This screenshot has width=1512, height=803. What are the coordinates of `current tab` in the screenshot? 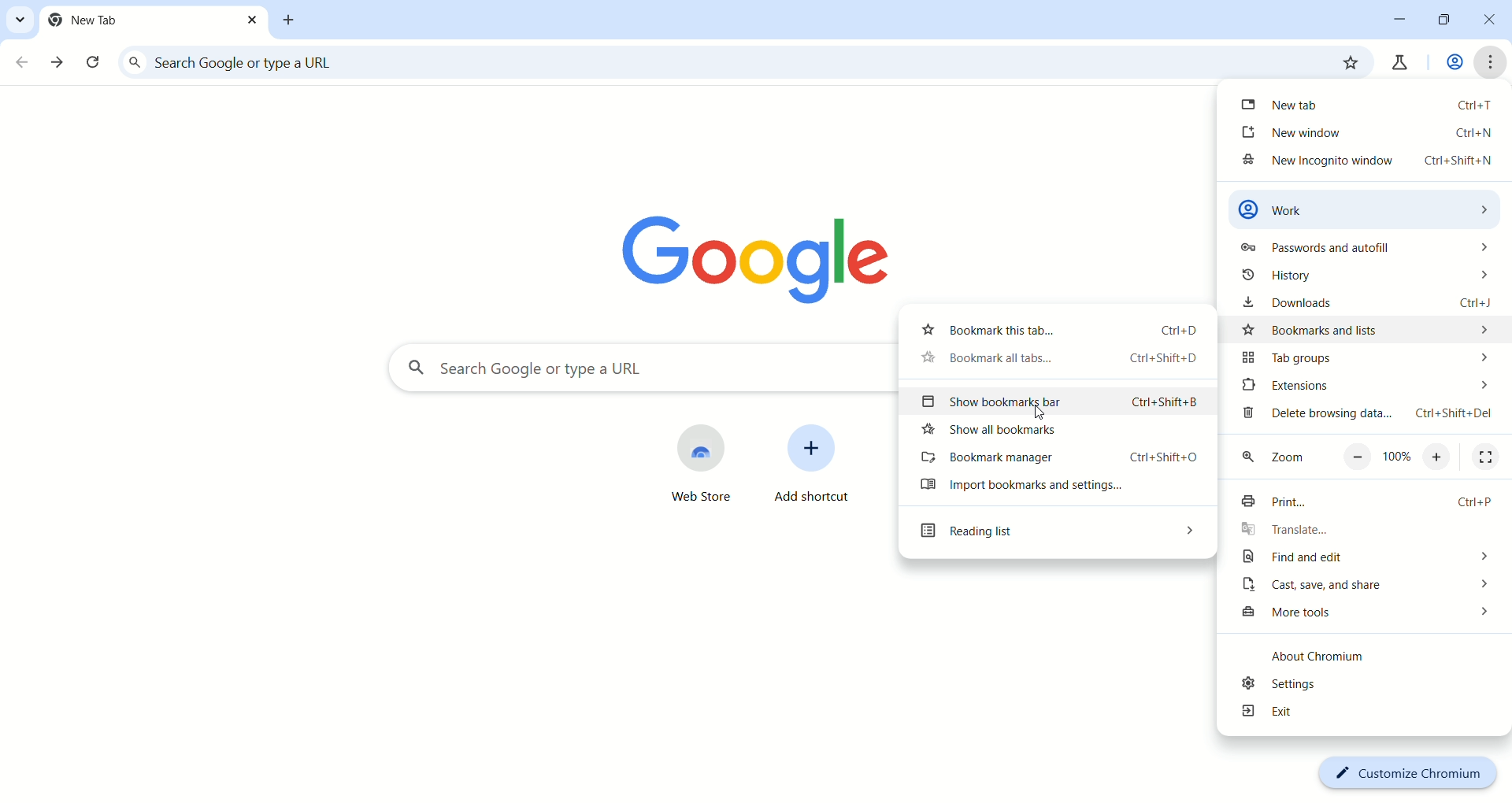 It's located at (154, 20).